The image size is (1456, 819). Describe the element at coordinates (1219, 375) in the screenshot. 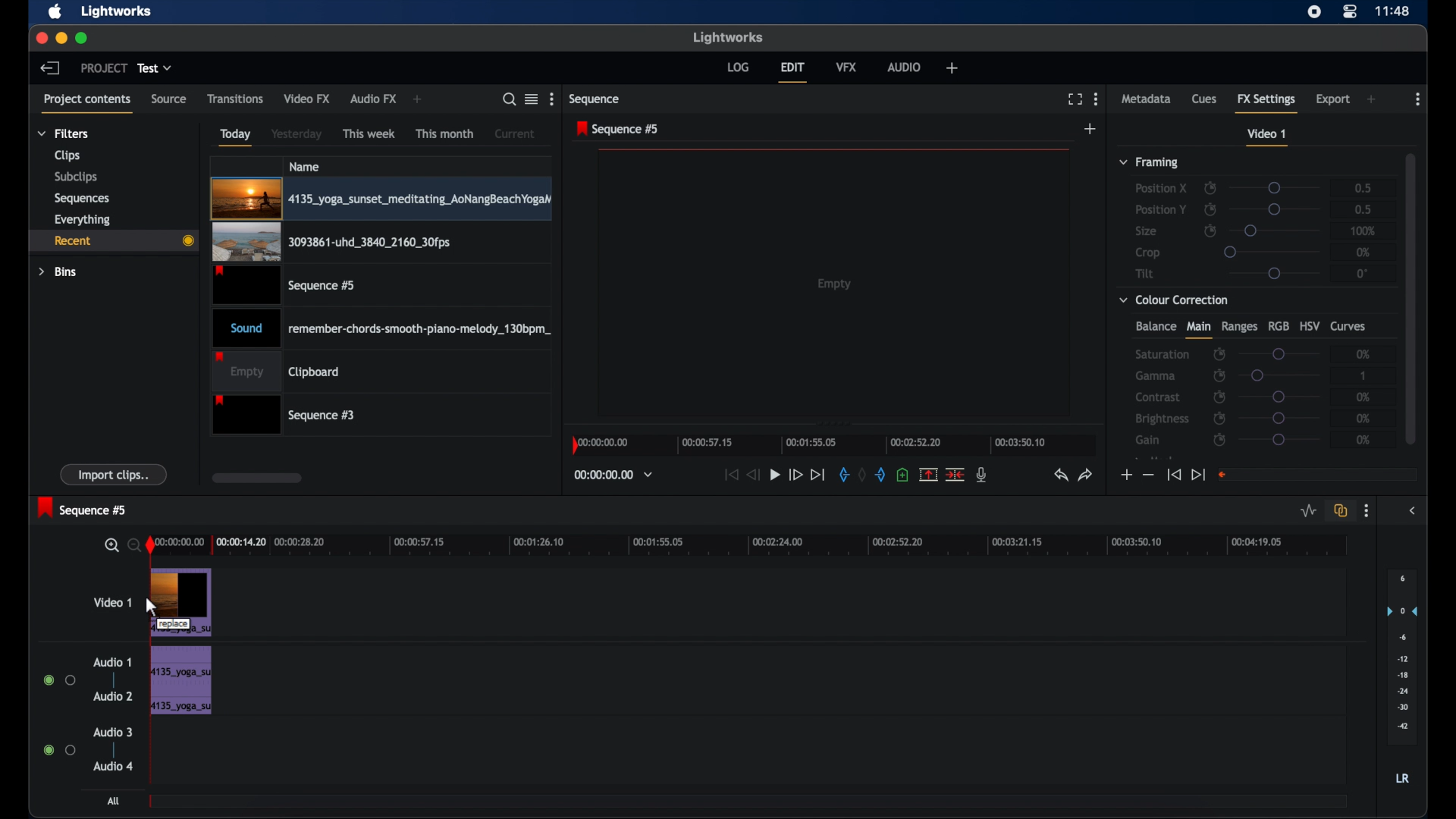

I see `enable/disable keyframes` at that location.